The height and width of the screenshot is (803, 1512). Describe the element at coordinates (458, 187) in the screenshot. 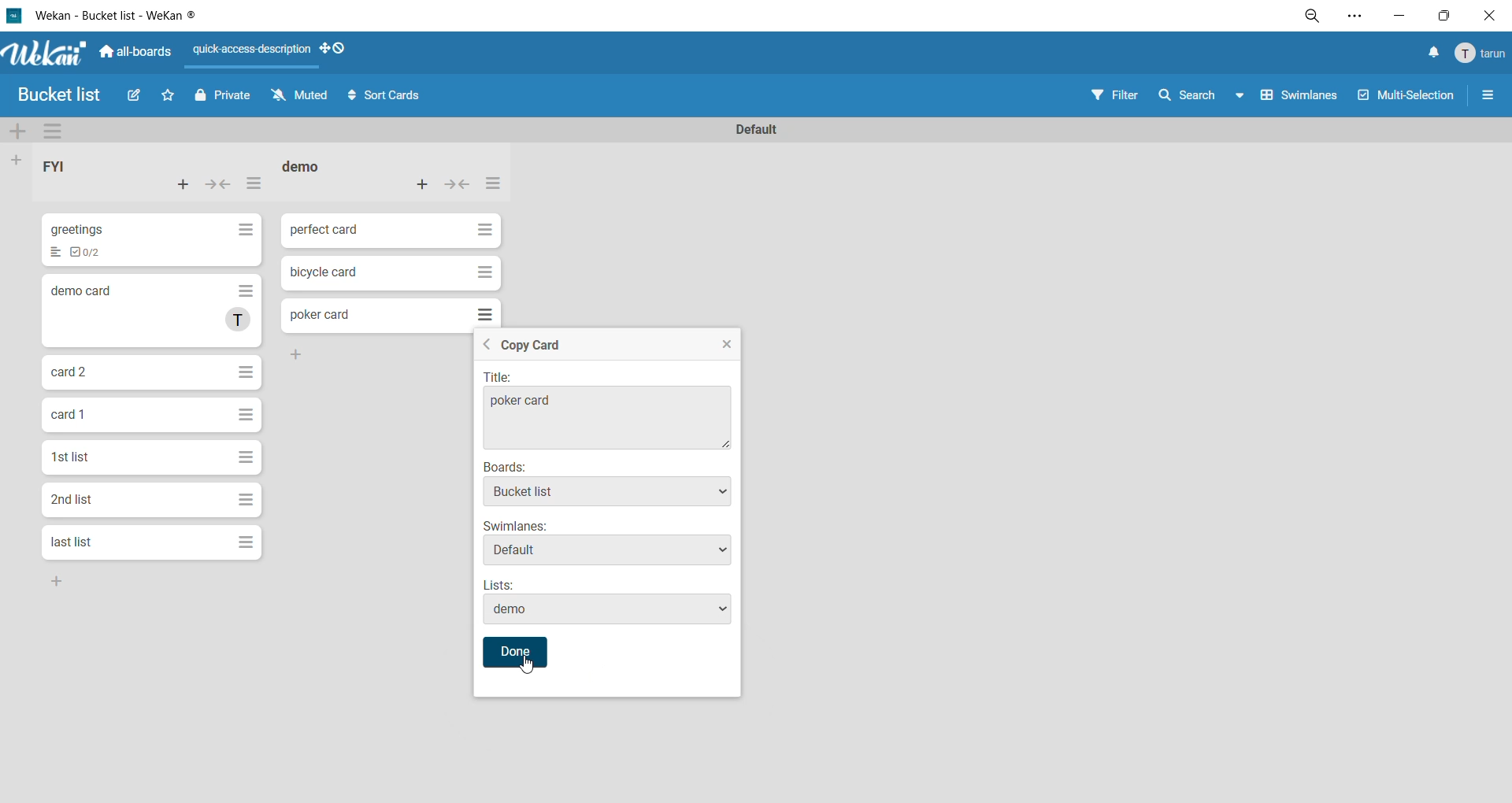

I see `collapse` at that location.